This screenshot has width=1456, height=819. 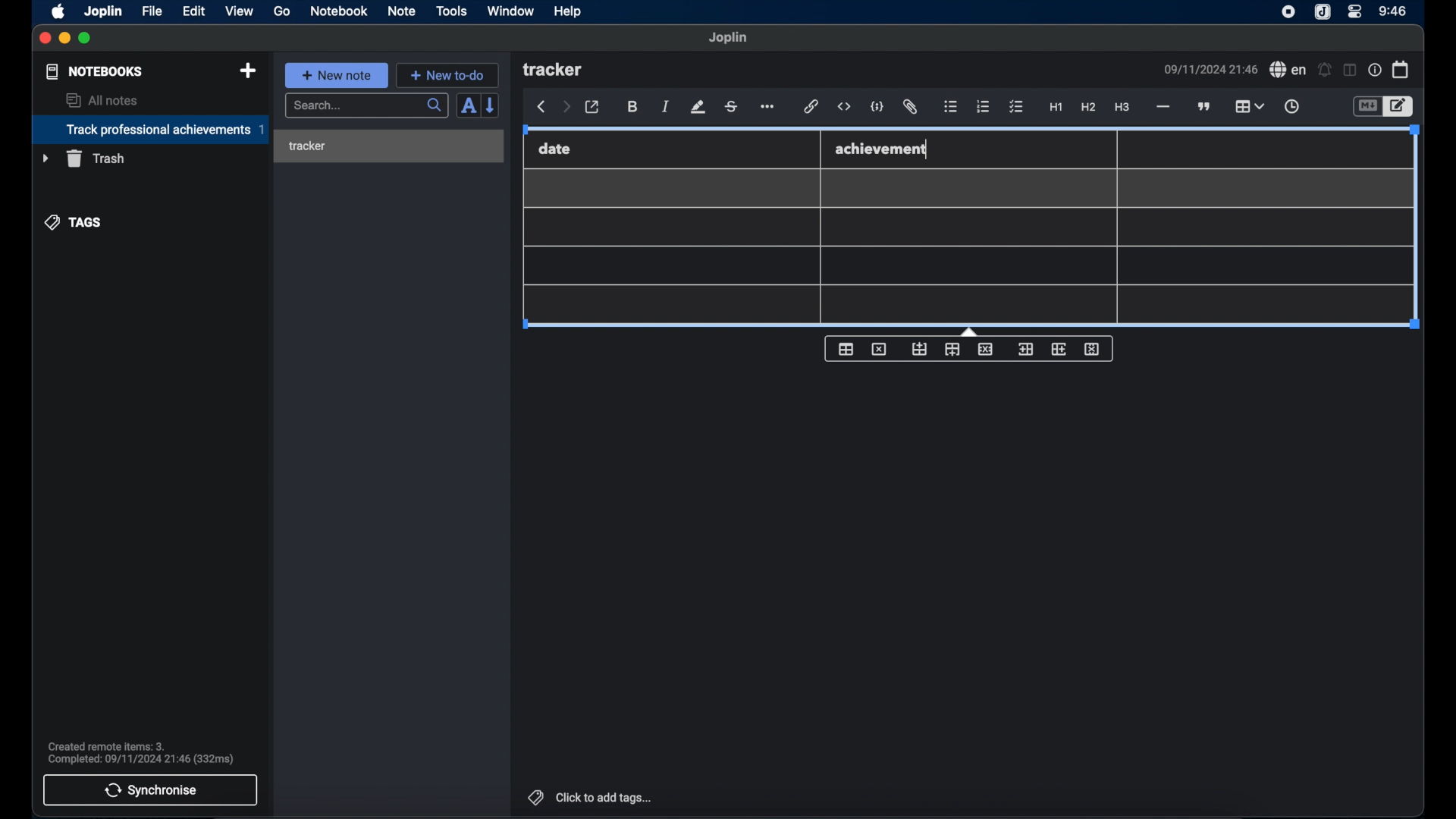 What do you see at coordinates (104, 11) in the screenshot?
I see `joplin` at bounding box center [104, 11].